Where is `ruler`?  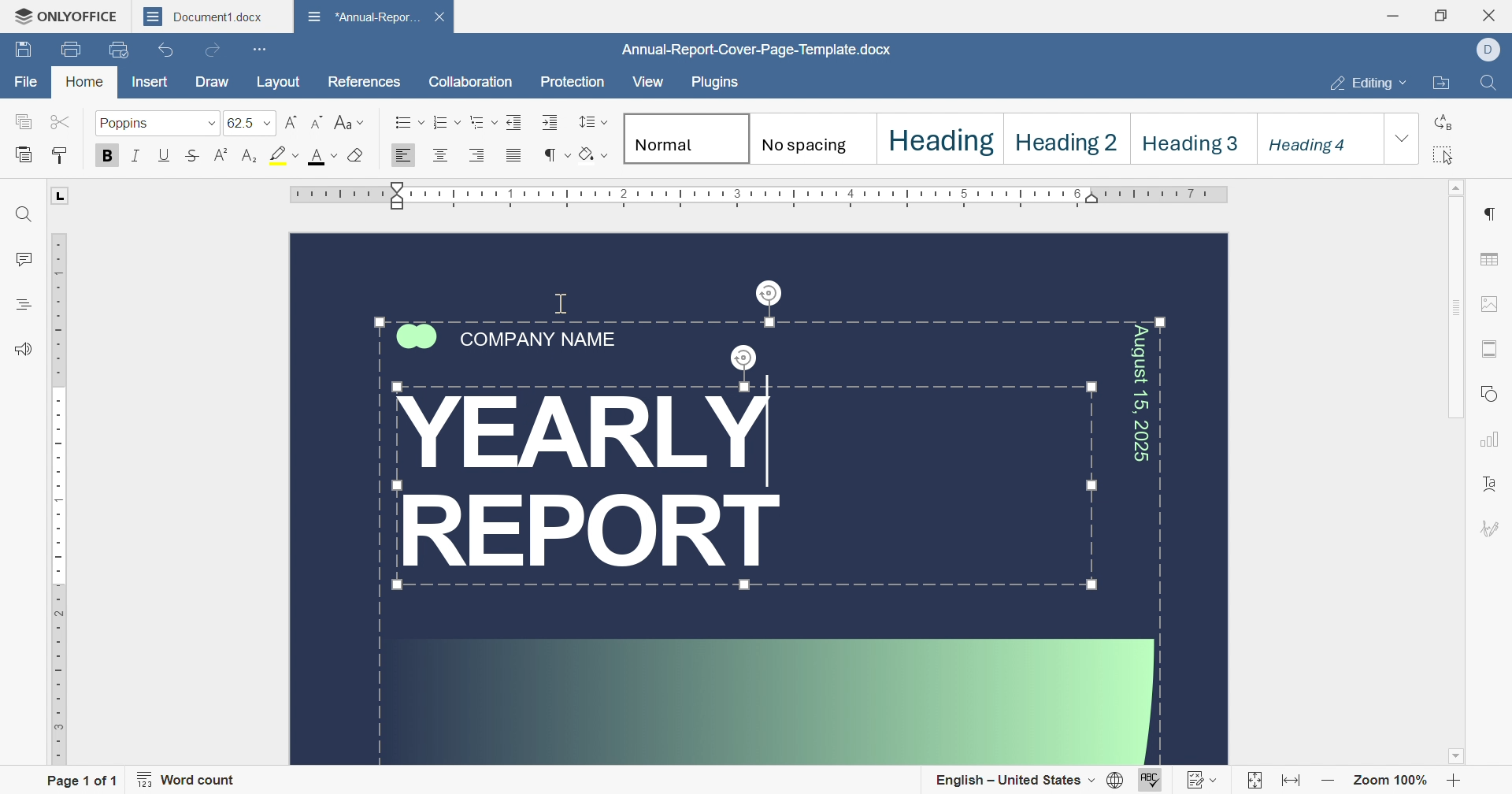
ruler is located at coordinates (56, 497).